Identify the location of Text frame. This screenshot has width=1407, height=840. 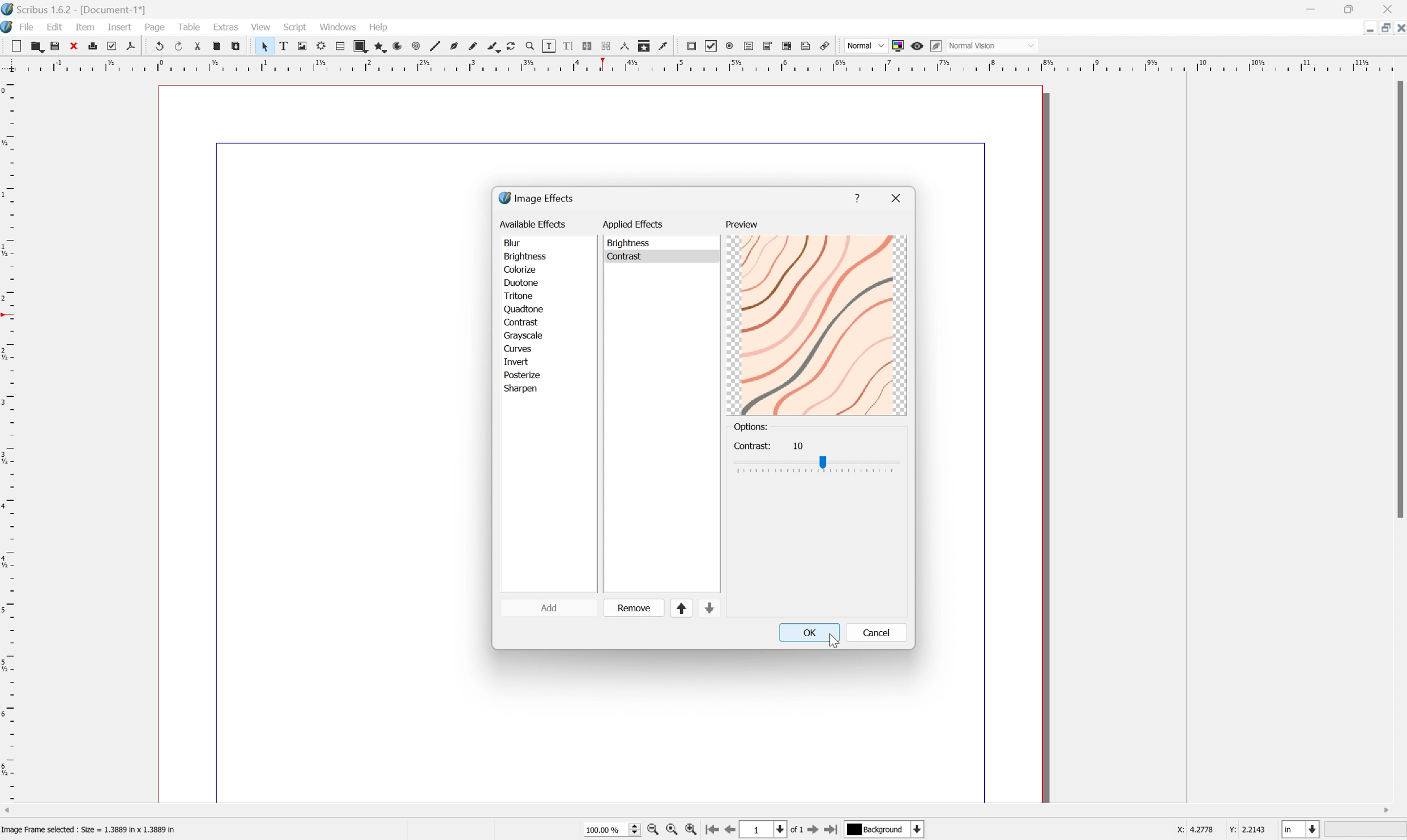
(281, 46).